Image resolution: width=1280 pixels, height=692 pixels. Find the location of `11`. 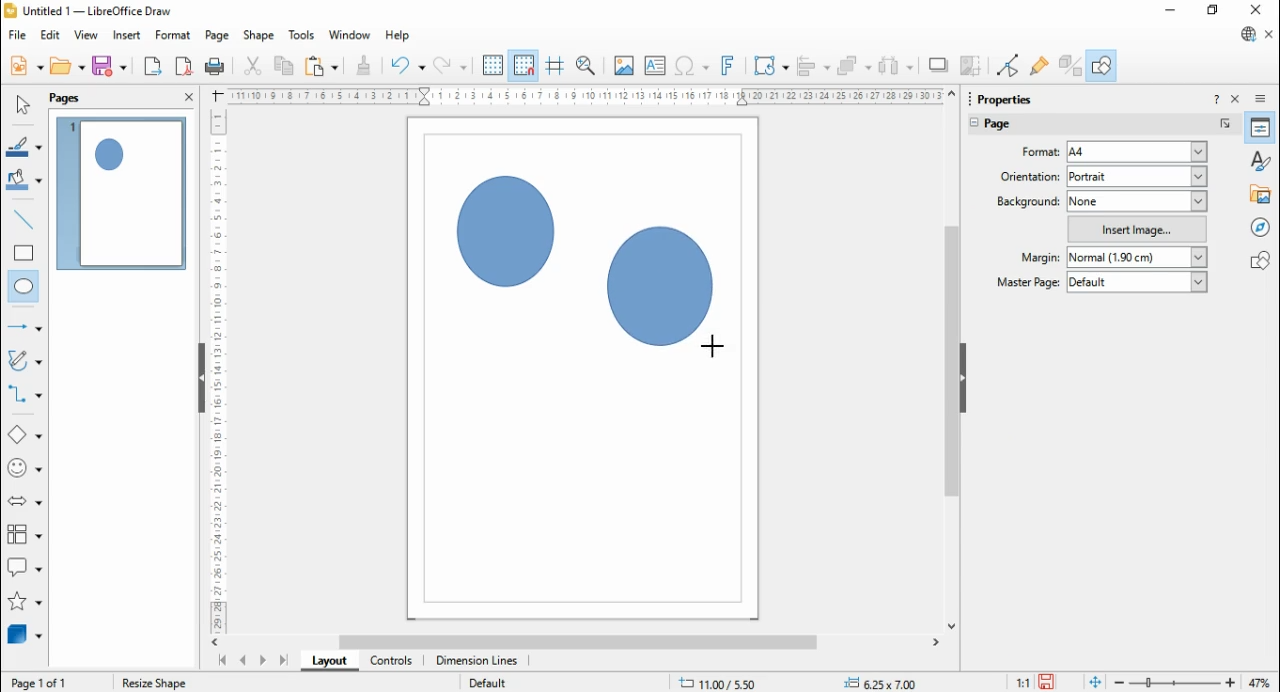

11 is located at coordinates (1024, 682).